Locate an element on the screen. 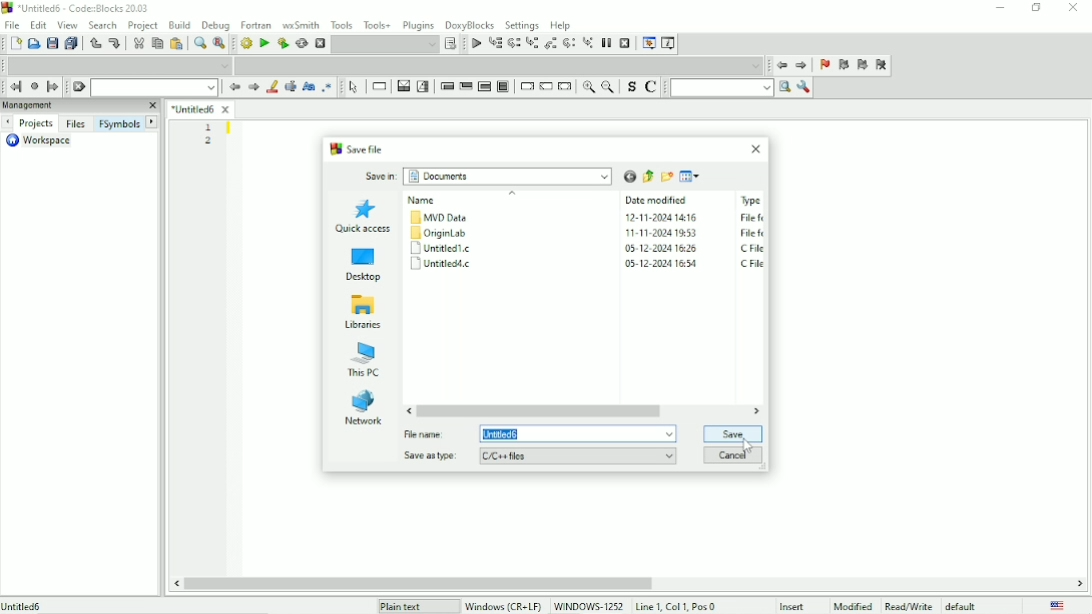 The height and width of the screenshot is (614, 1092). Debug is located at coordinates (216, 26).